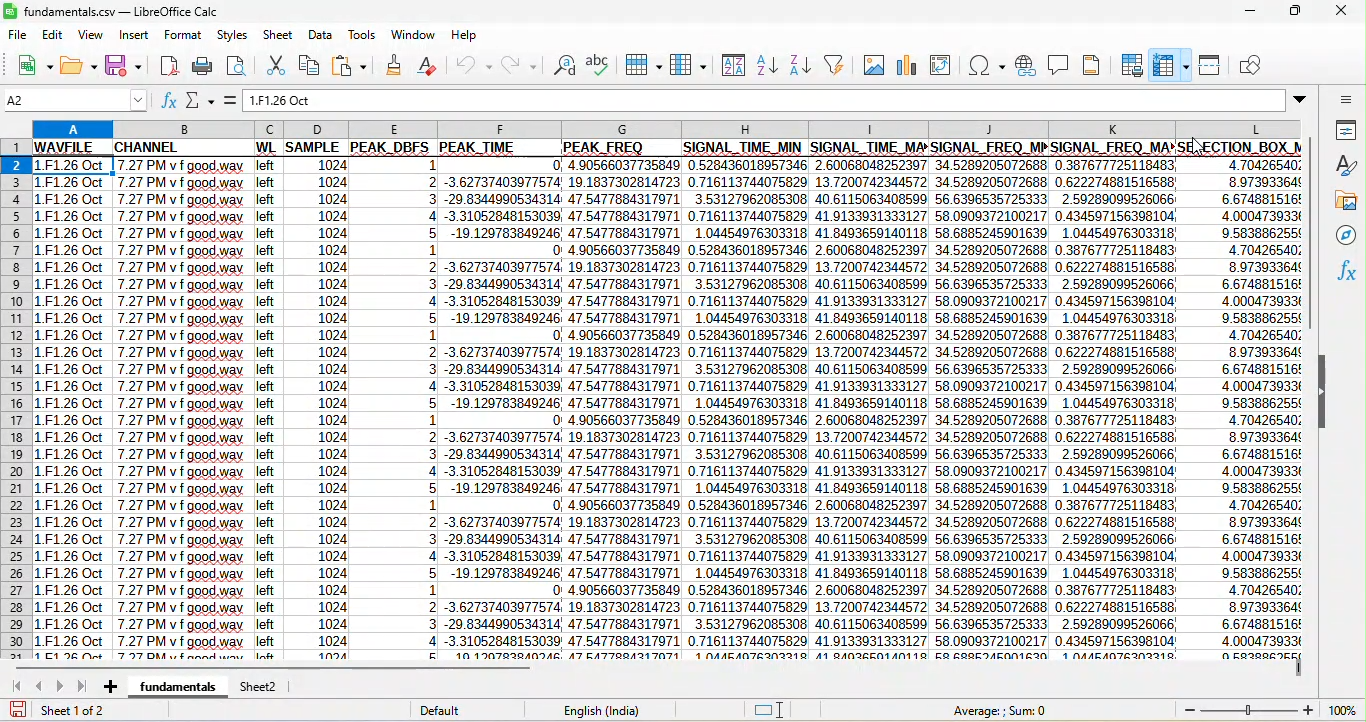 This screenshot has width=1366, height=722. What do you see at coordinates (1346, 100) in the screenshot?
I see `sidebar setting` at bounding box center [1346, 100].